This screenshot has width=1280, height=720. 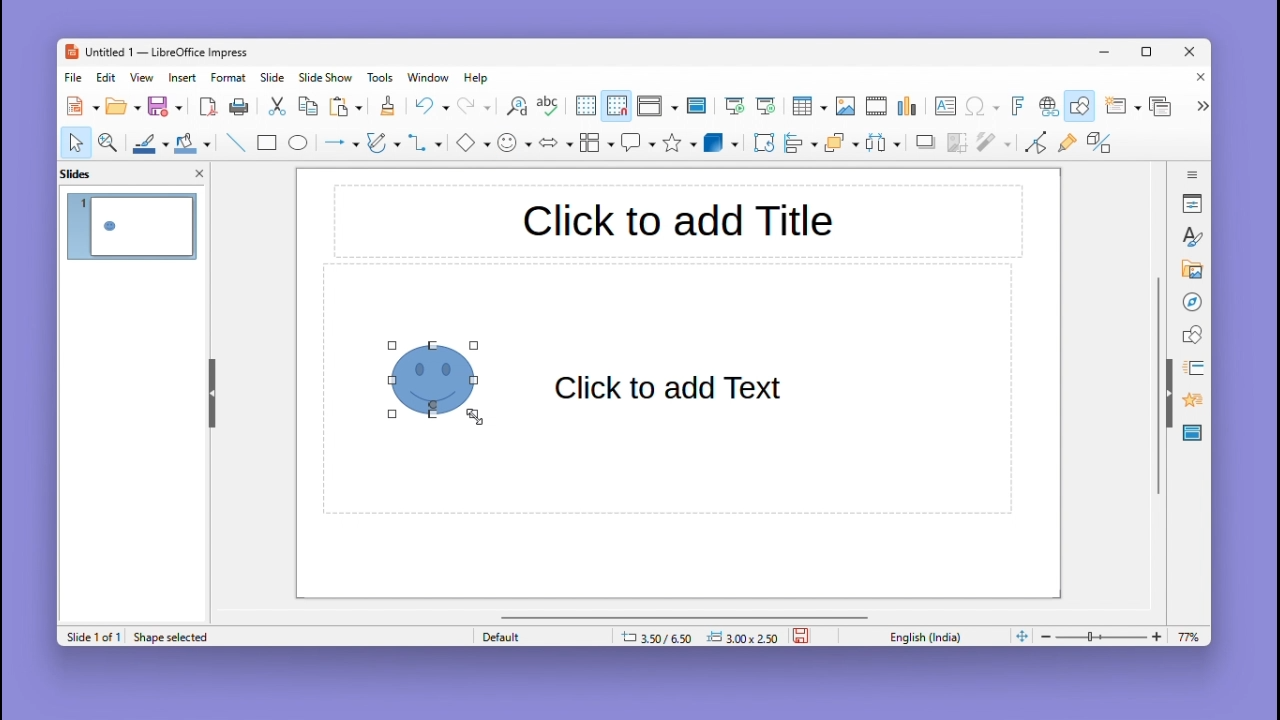 I want to click on Help, so click(x=478, y=78).